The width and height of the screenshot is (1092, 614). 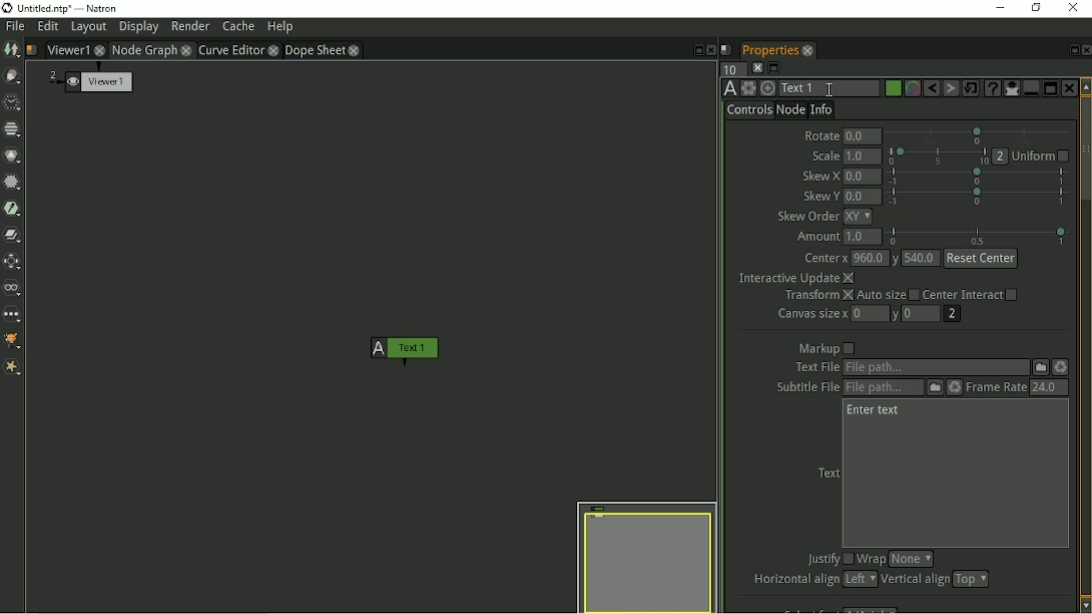 What do you see at coordinates (1001, 155) in the screenshot?
I see `2` at bounding box center [1001, 155].